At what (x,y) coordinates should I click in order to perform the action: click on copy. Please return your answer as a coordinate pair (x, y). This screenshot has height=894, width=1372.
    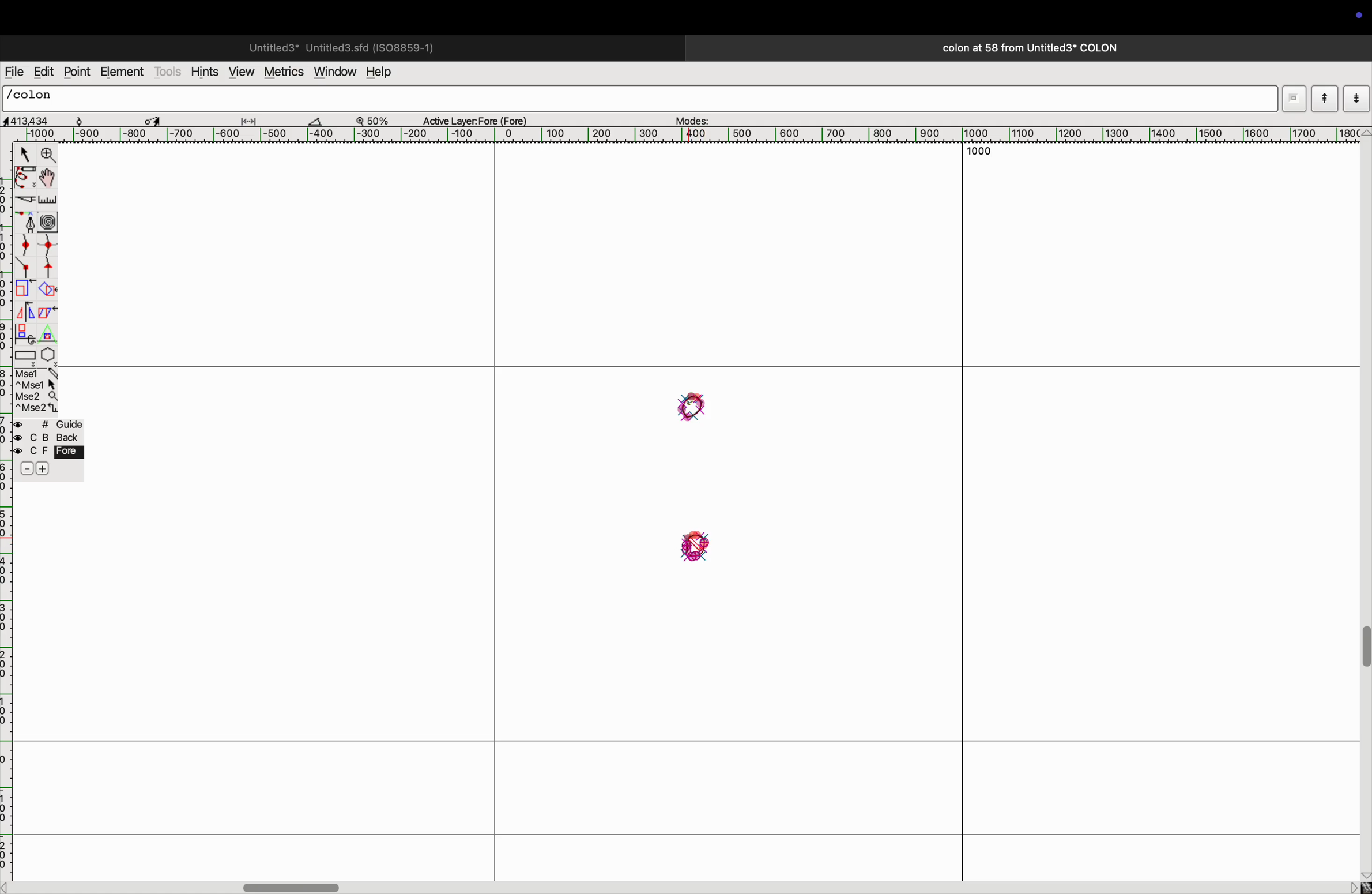
    Looking at the image, I should click on (50, 314).